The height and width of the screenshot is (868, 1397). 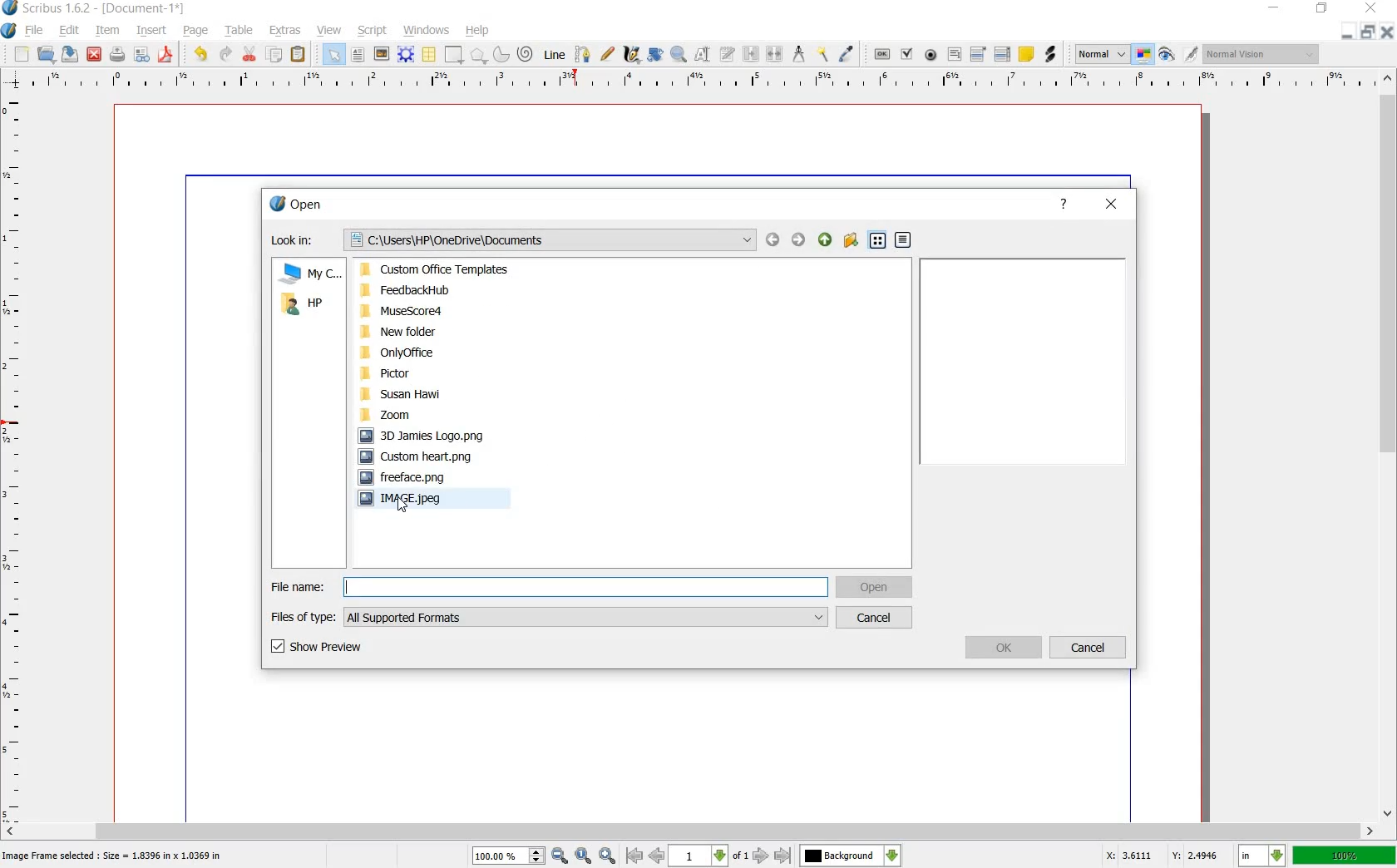 What do you see at coordinates (95, 53) in the screenshot?
I see `close` at bounding box center [95, 53].